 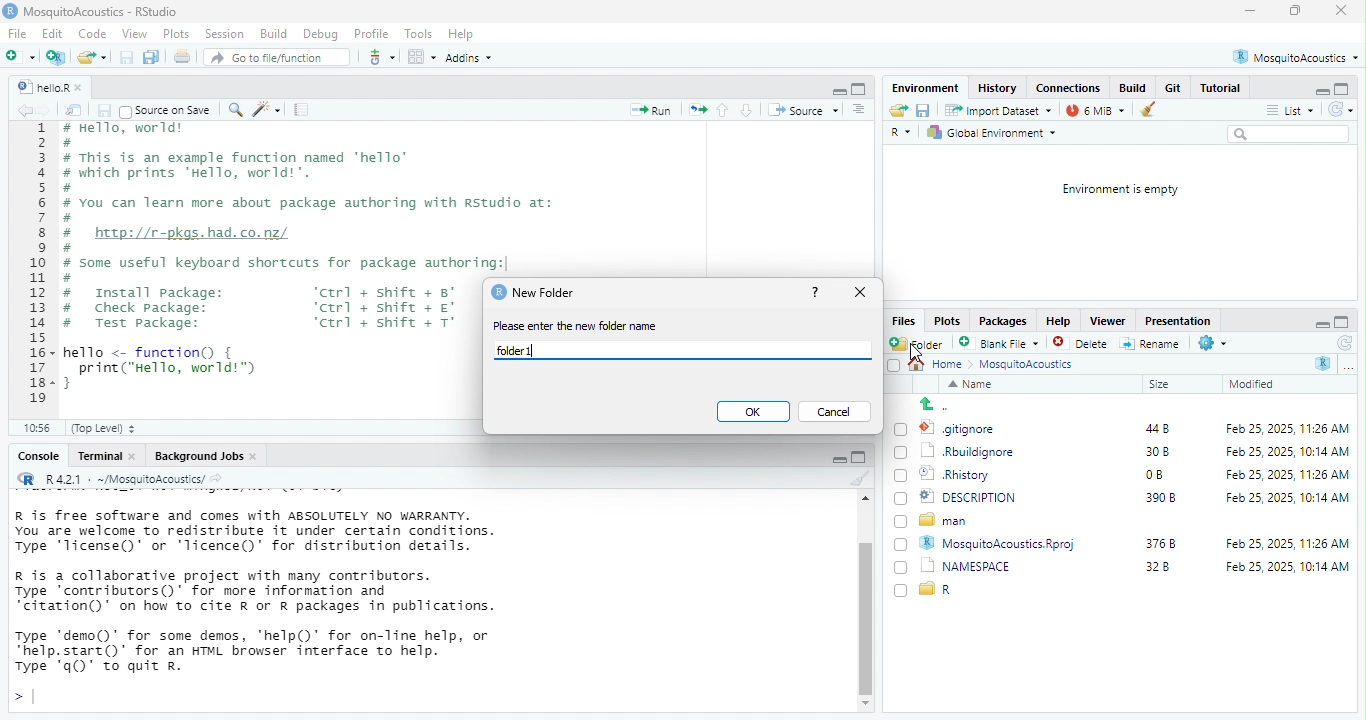 What do you see at coordinates (30, 696) in the screenshot?
I see `typing cursor` at bounding box center [30, 696].